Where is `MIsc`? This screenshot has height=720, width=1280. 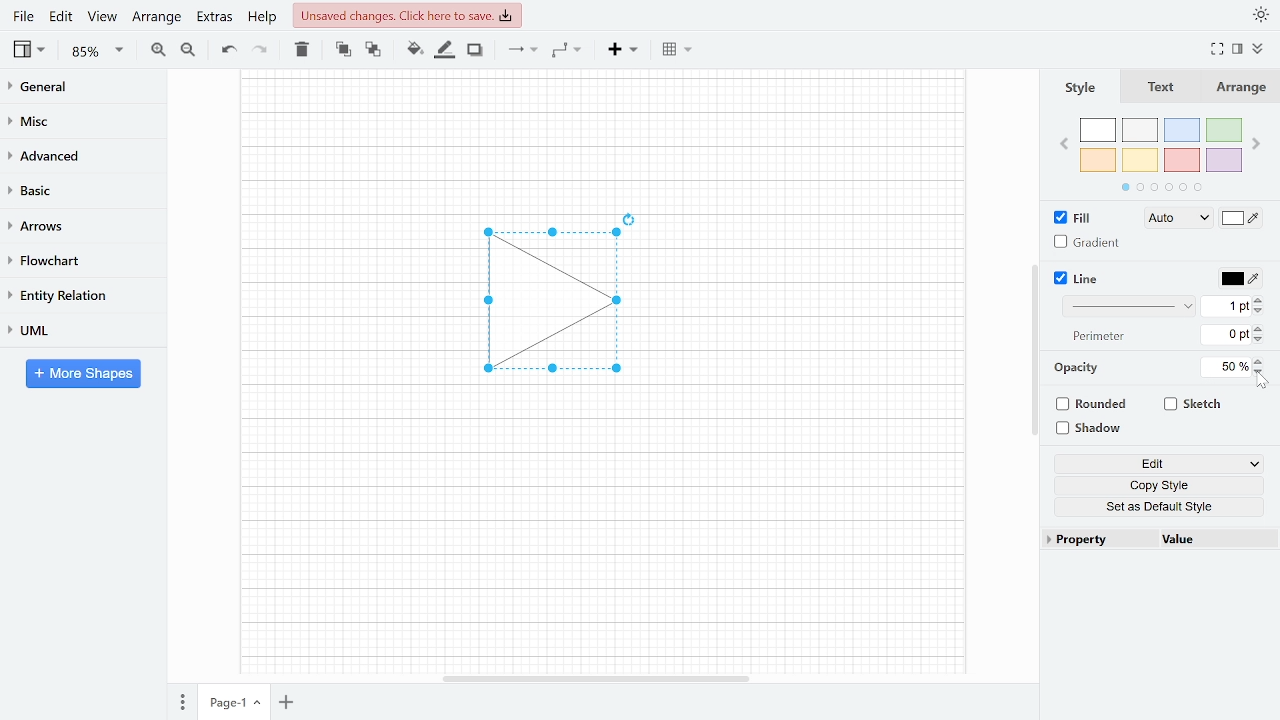
MIsc is located at coordinates (75, 120).